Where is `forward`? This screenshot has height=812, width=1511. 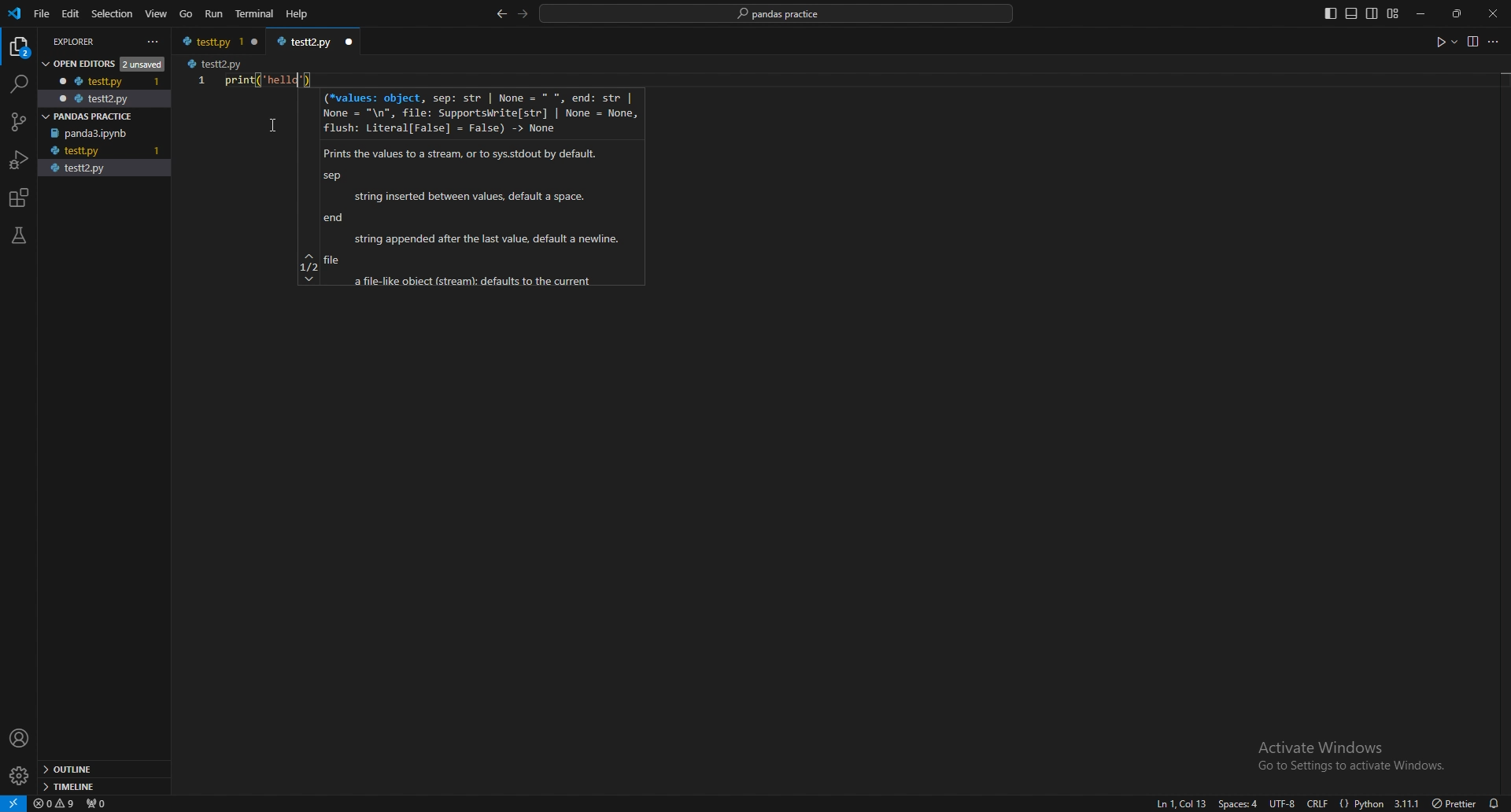
forward is located at coordinates (523, 13).